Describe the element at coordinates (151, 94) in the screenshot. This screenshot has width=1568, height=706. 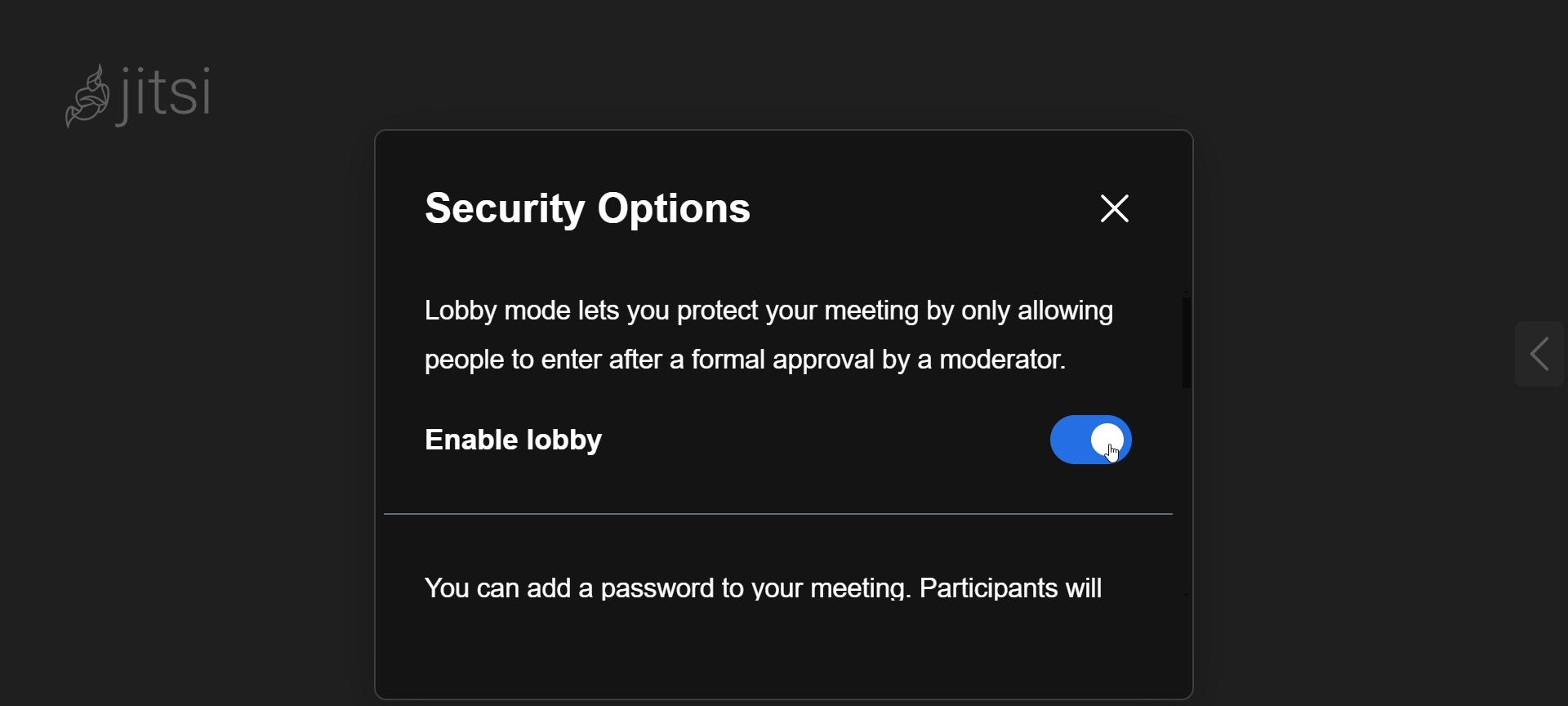
I see `Jitsi` at that location.